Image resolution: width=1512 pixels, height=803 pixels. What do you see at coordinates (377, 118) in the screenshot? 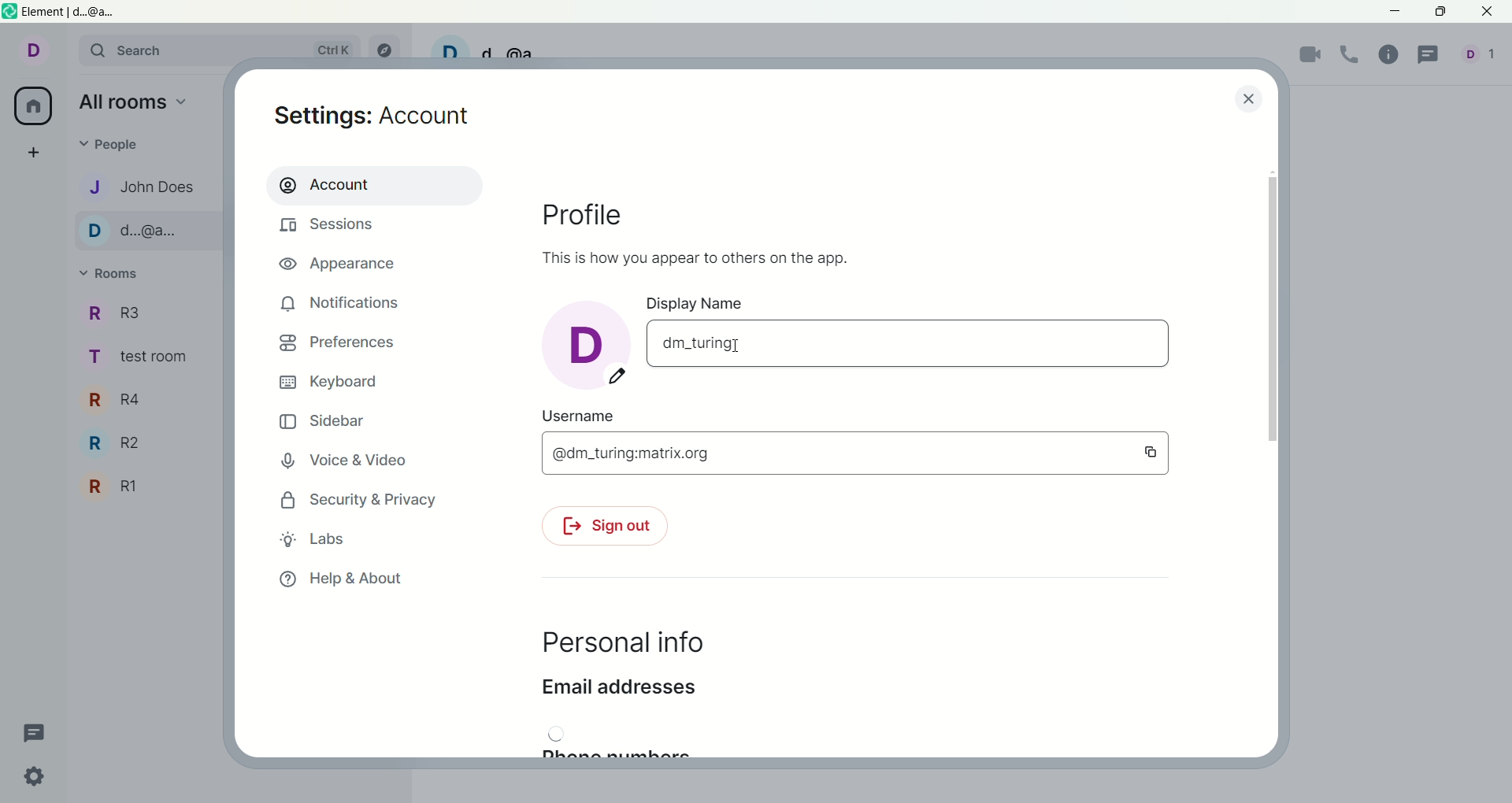
I see `settings: account` at bounding box center [377, 118].